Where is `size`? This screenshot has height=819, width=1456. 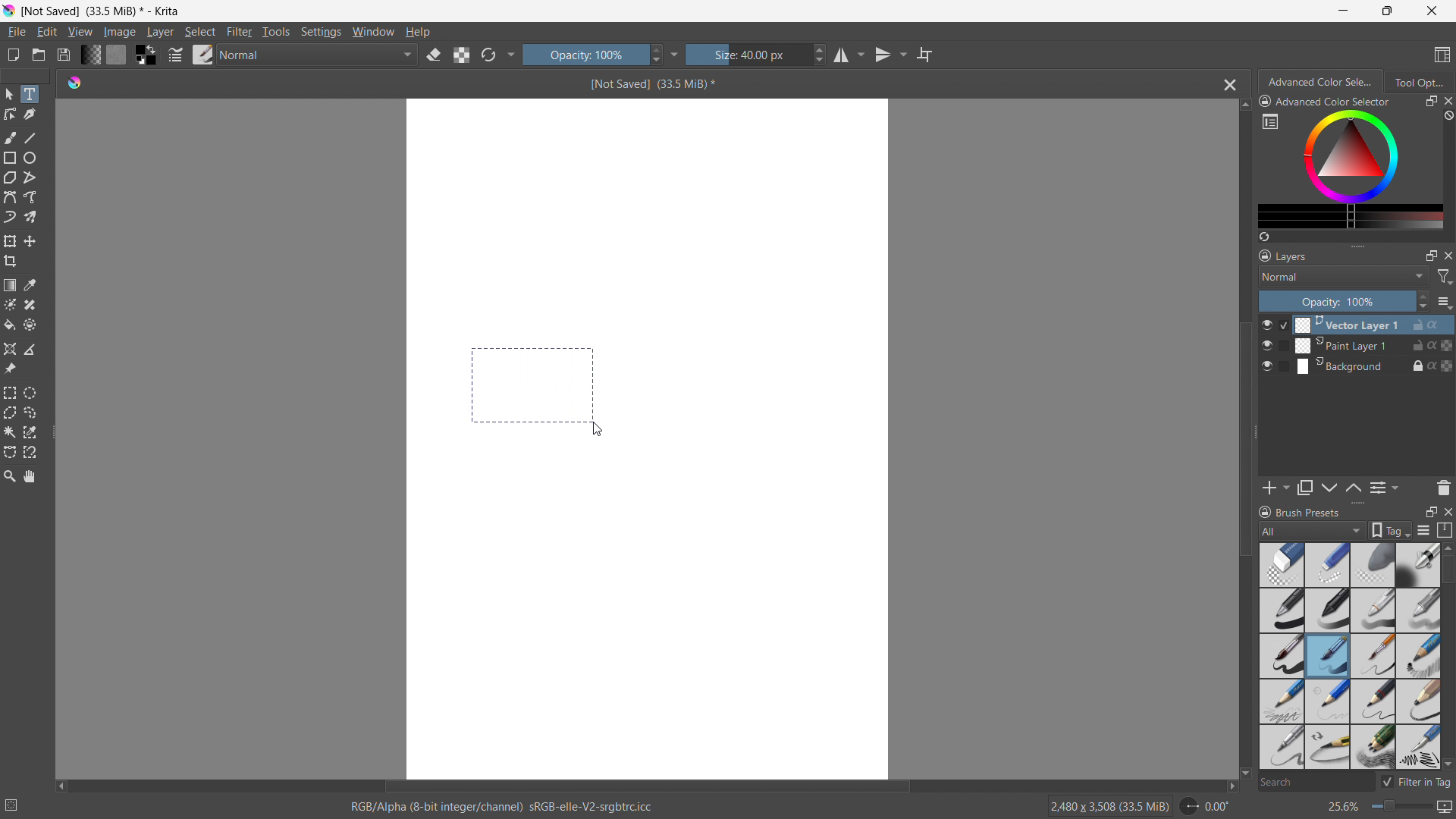 size is located at coordinates (756, 55).